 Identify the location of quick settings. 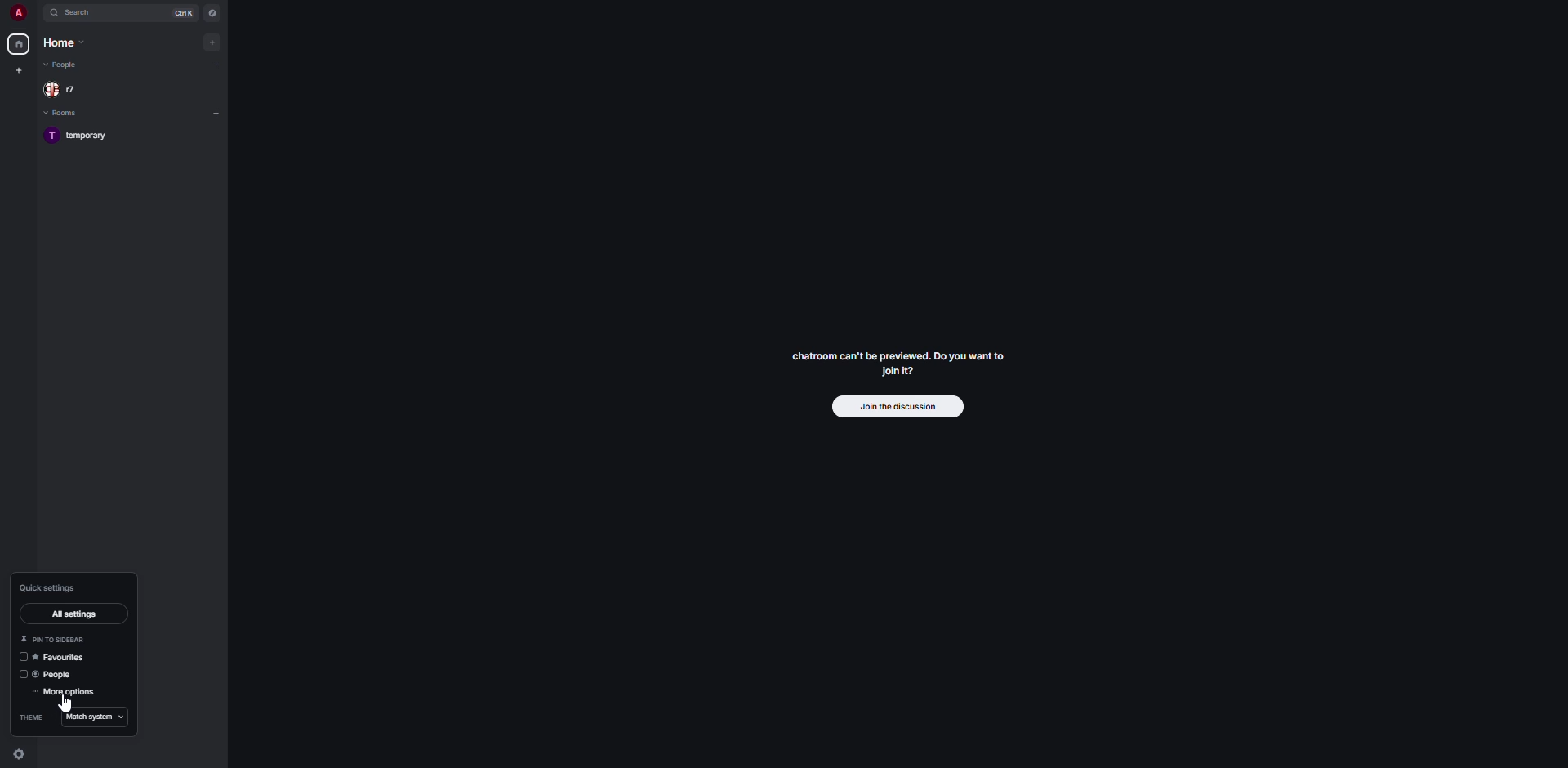
(17, 757).